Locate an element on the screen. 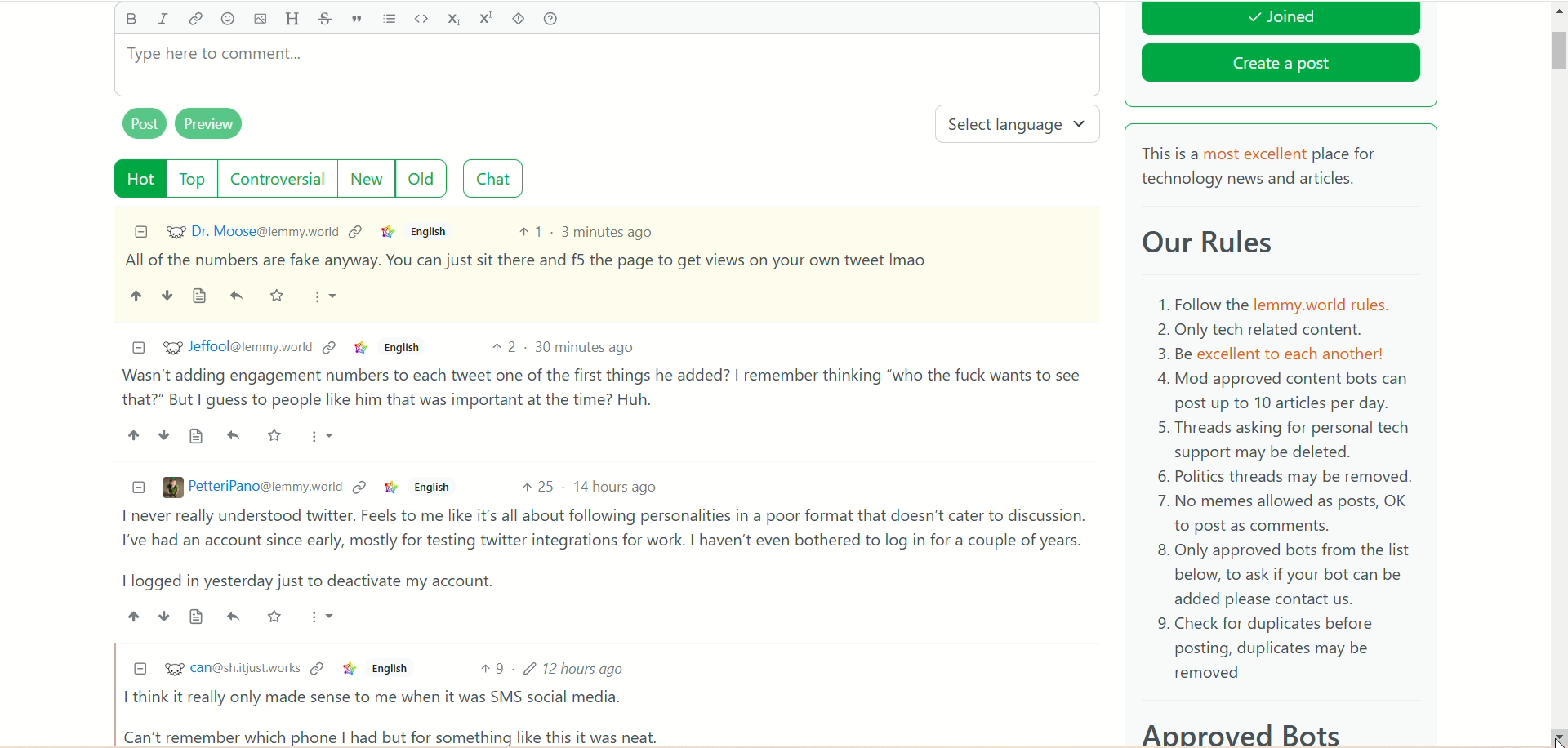 This screenshot has height=748, width=1568. Source is located at coordinates (201, 296).